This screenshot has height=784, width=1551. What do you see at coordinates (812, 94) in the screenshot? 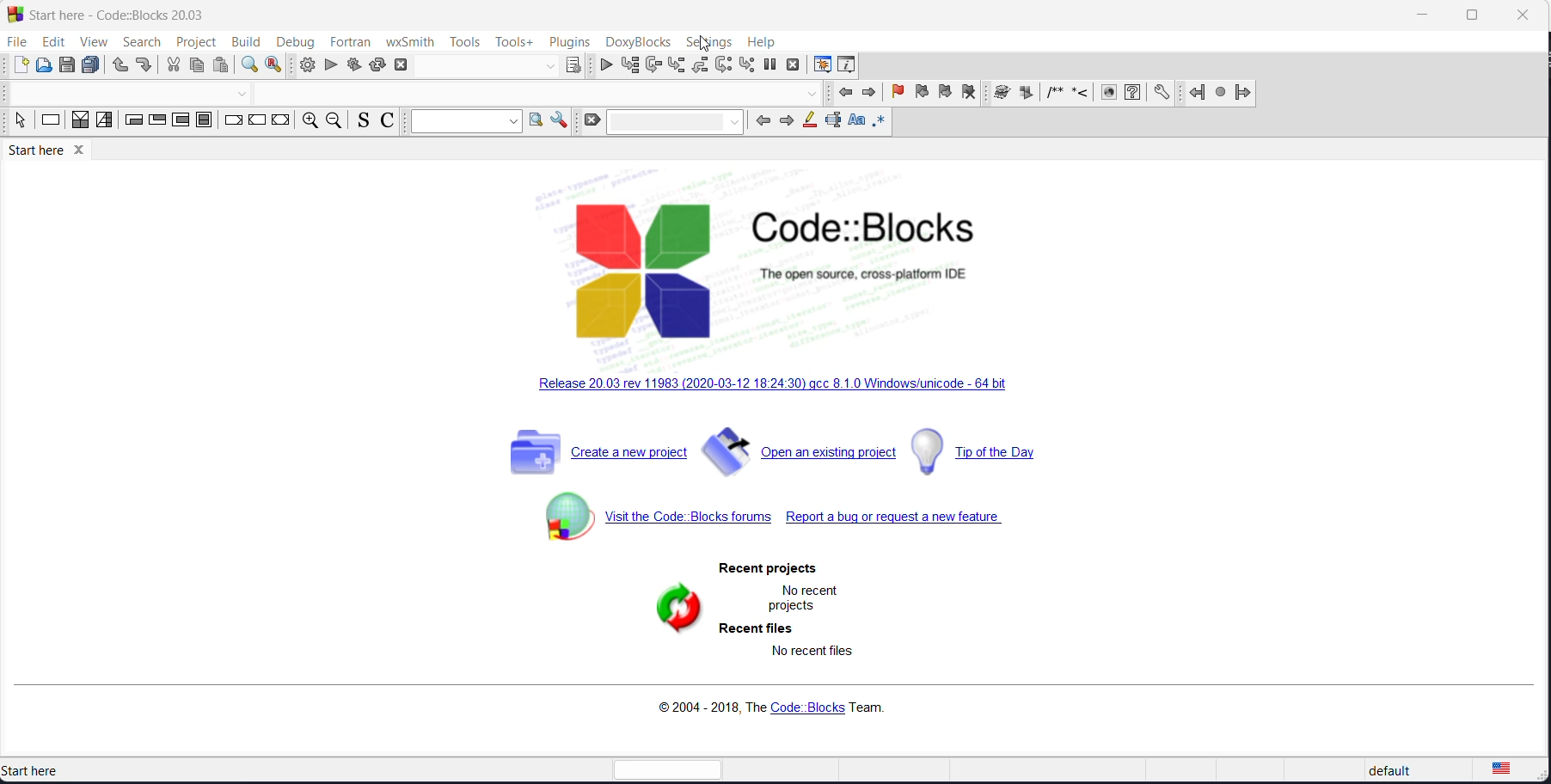
I see `dropdown` at bounding box center [812, 94].